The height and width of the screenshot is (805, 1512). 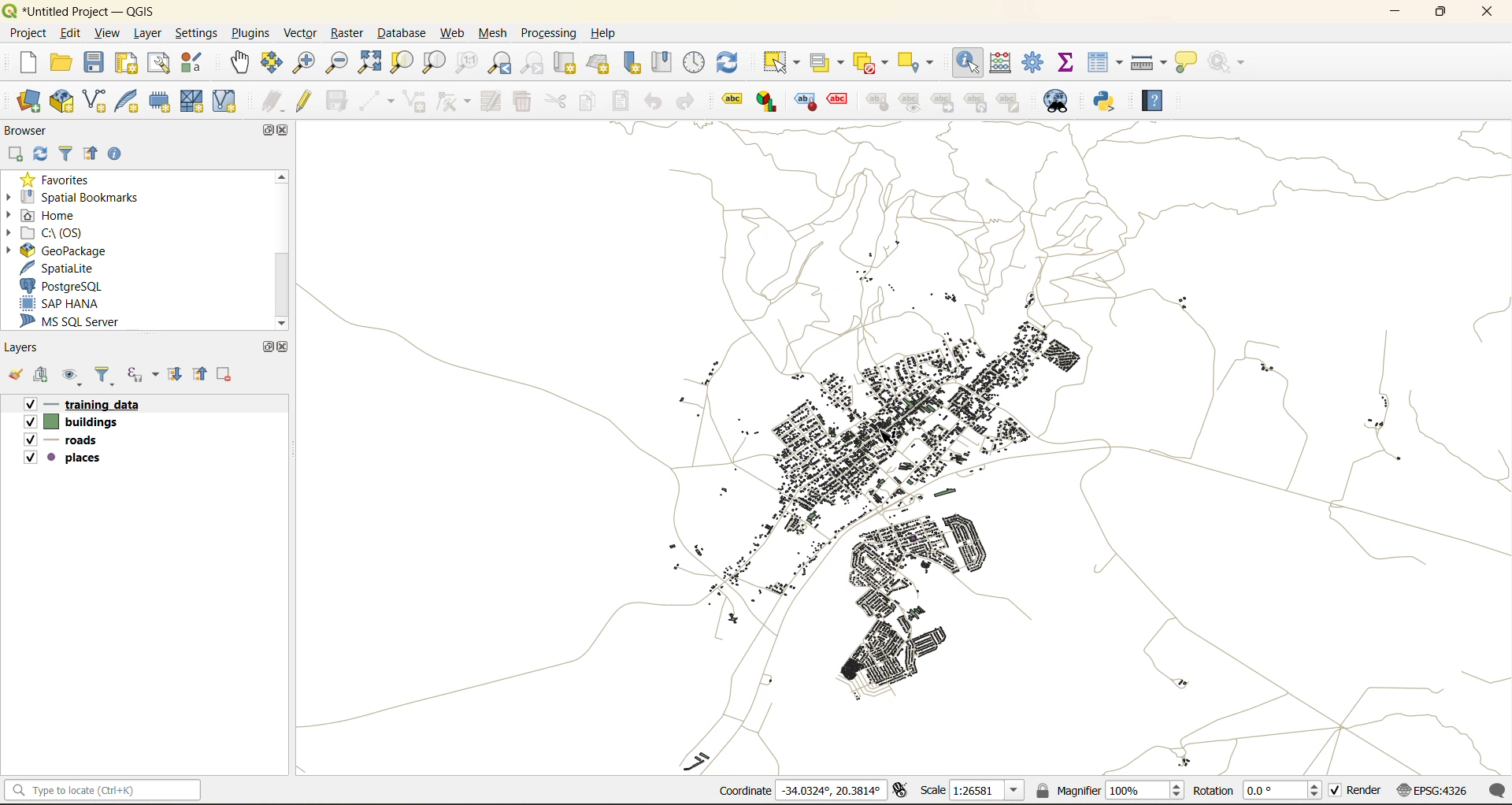 What do you see at coordinates (27, 32) in the screenshot?
I see `project` at bounding box center [27, 32].